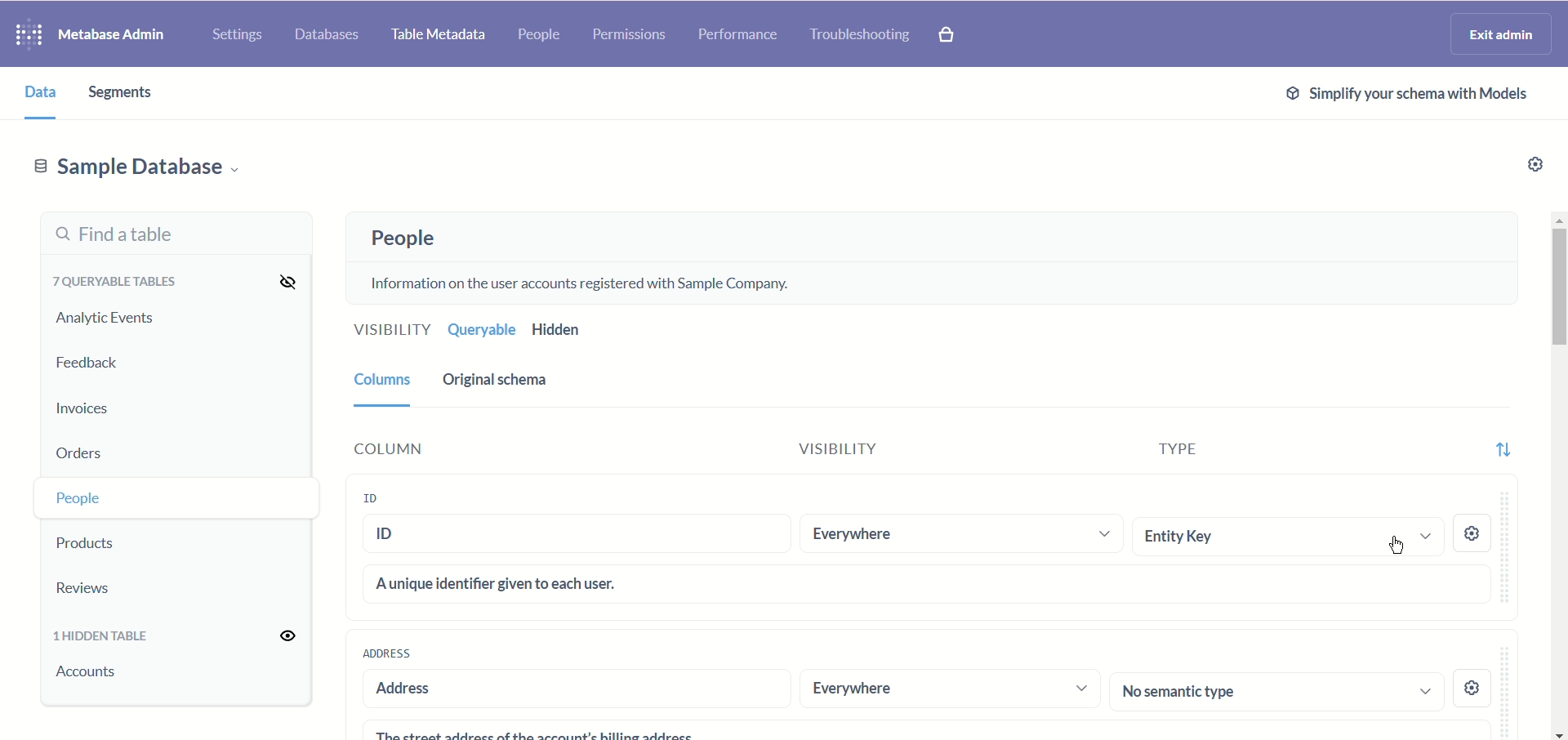  What do you see at coordinates (386, 653) in the screenshot?
I see `Address` at bounding box center [386, 653].